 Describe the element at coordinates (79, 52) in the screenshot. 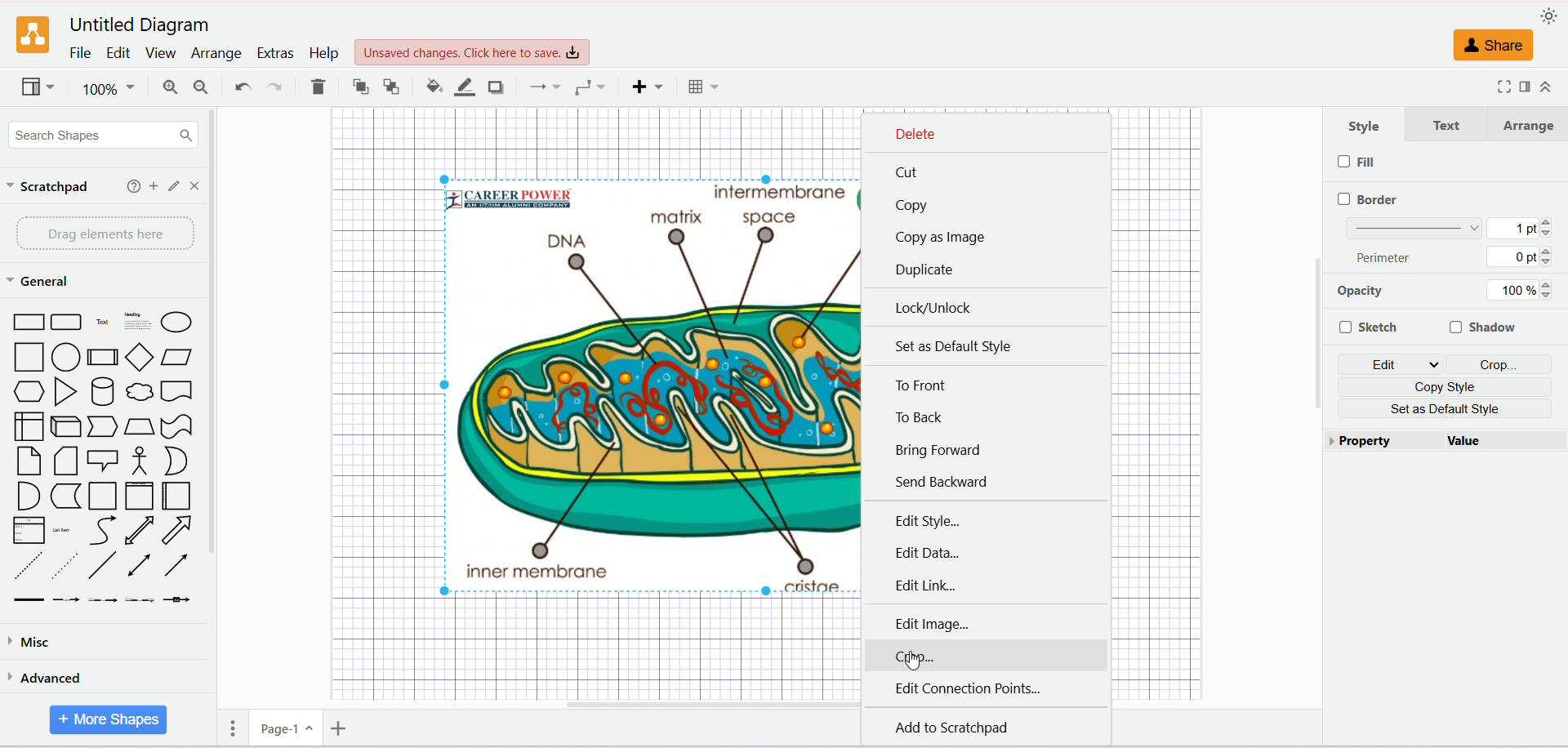

I see `file` at that location.